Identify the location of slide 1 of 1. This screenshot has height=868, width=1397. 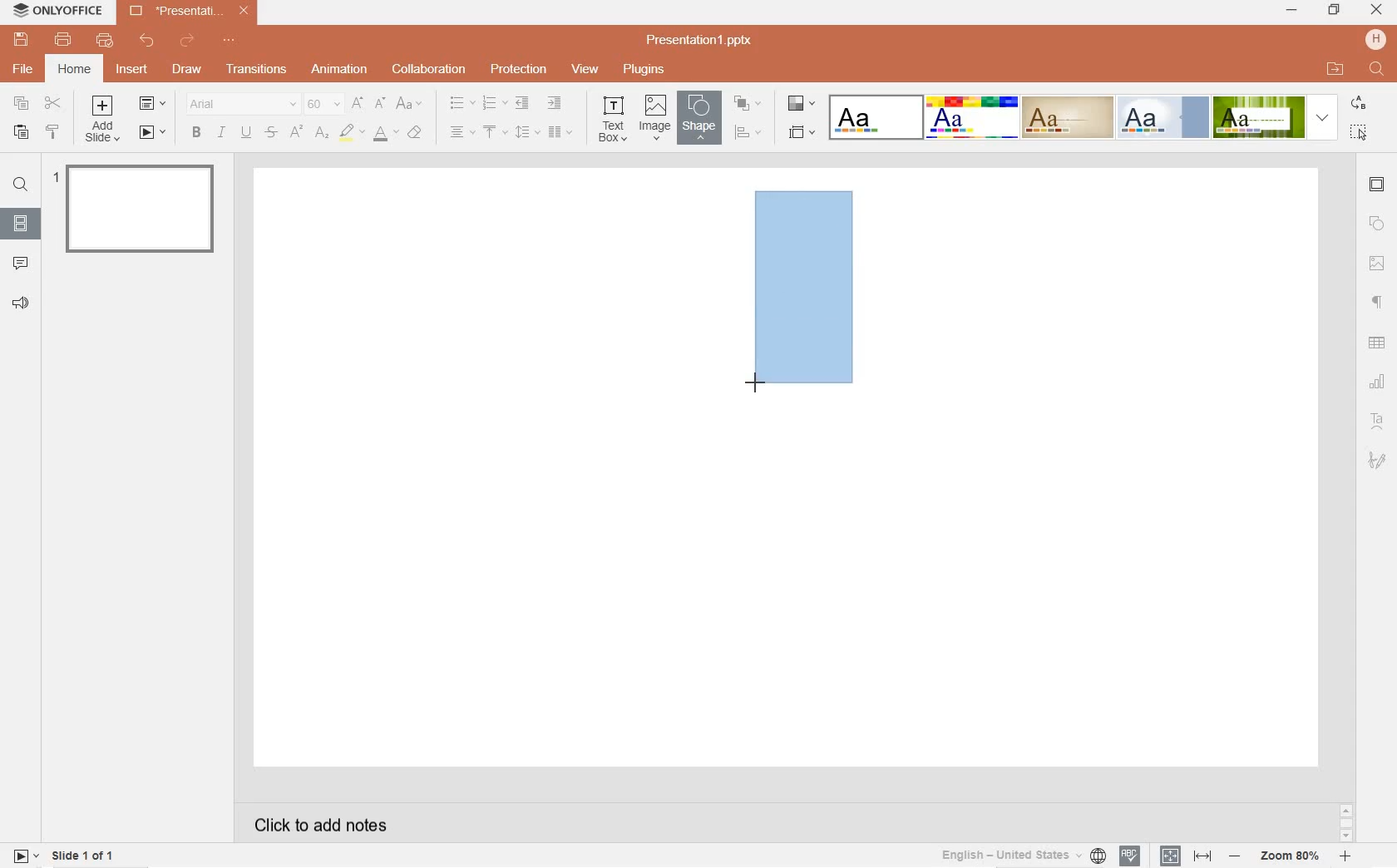
(85, 858).